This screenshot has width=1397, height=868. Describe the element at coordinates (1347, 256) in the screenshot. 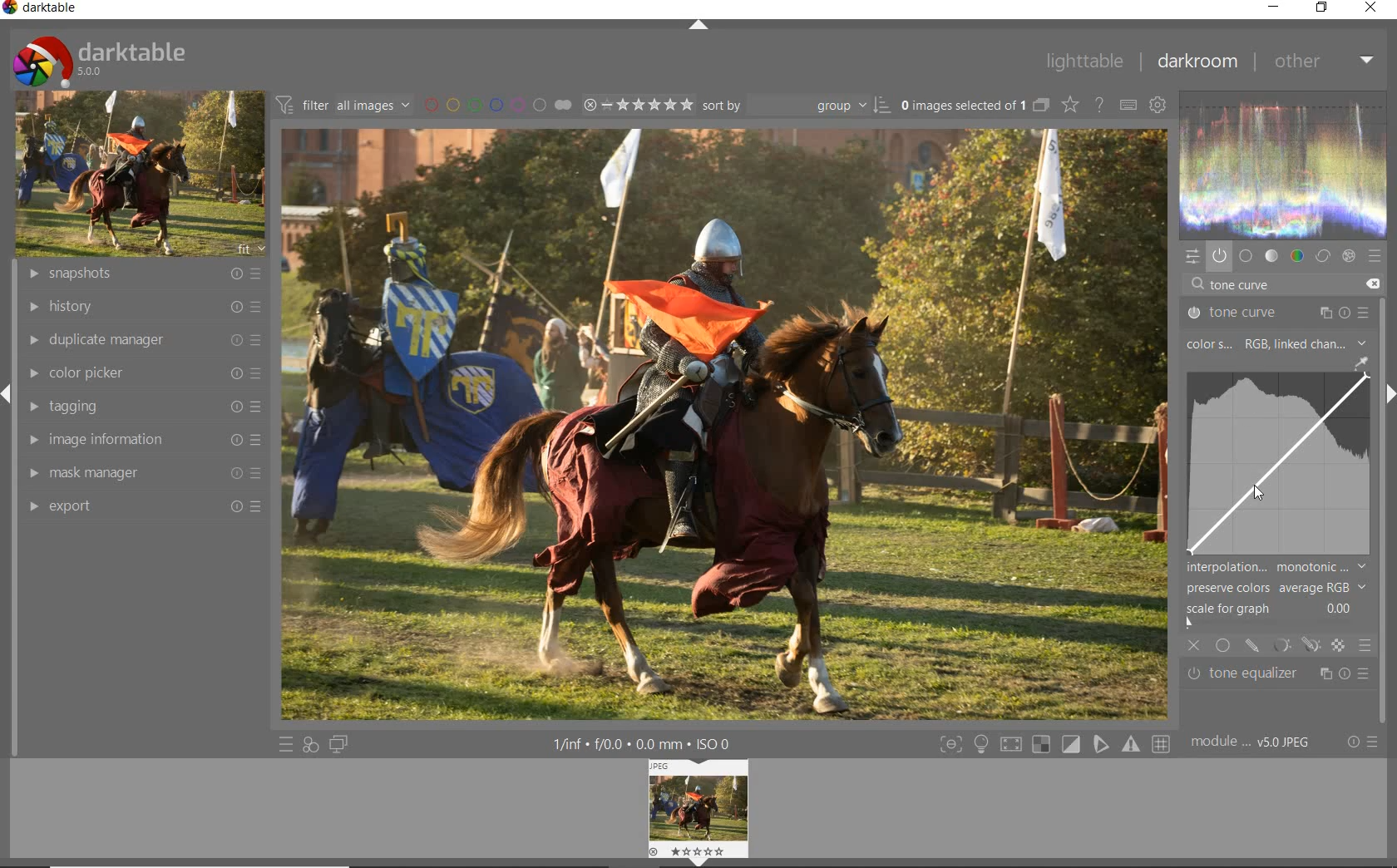

I see `effect` at that location.